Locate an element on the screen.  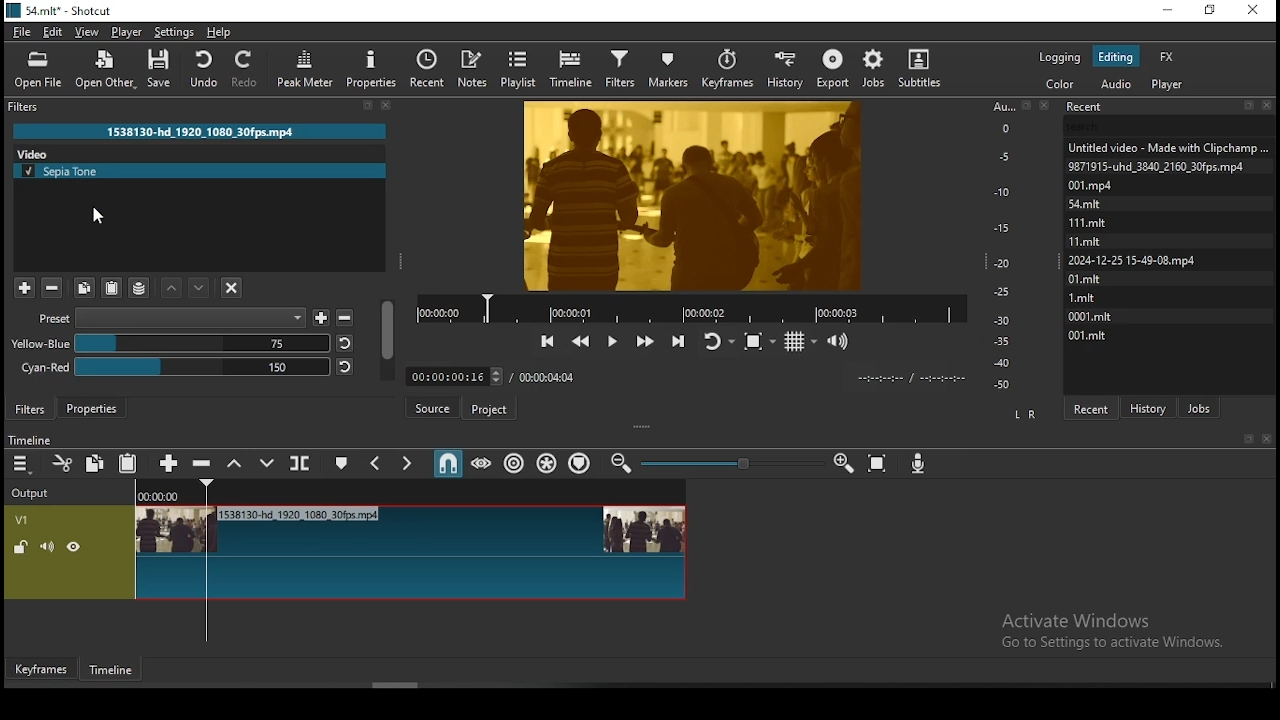
1mit is located at coordinates (1091, 296).